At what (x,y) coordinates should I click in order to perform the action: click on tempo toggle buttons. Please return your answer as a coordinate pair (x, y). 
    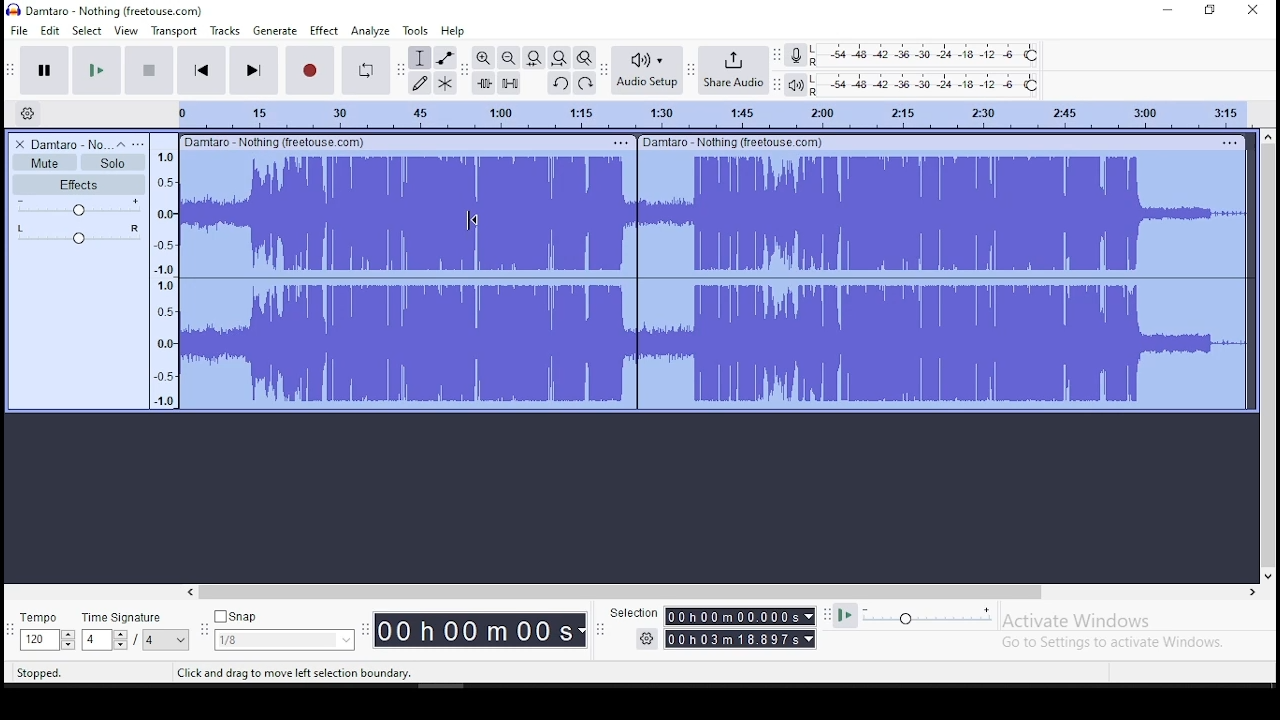
    Looking at the image, I should click on (48, 640).